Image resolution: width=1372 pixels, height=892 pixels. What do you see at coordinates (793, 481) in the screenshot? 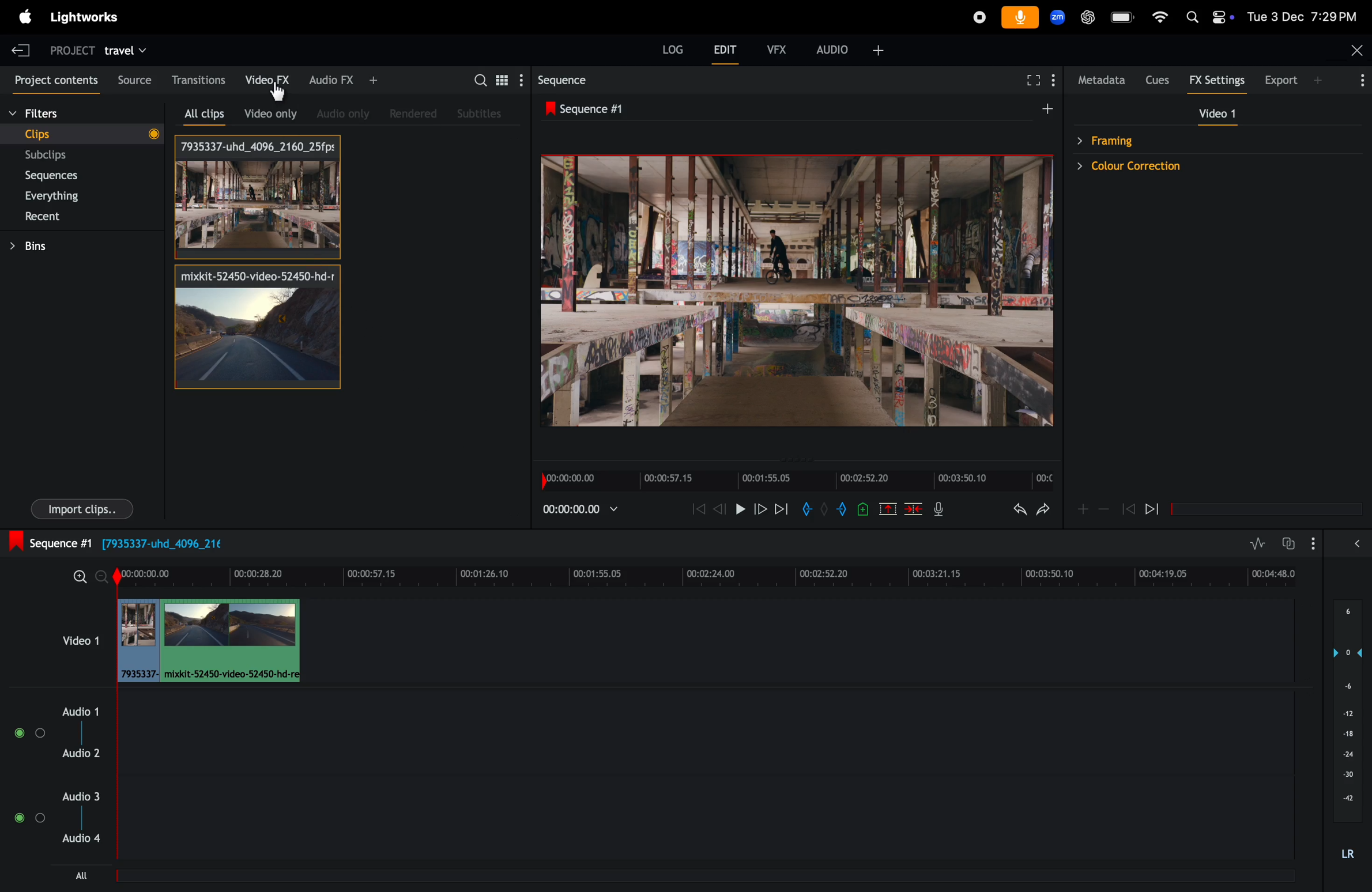
I see `Time frame` at bounding box center [793, 481].